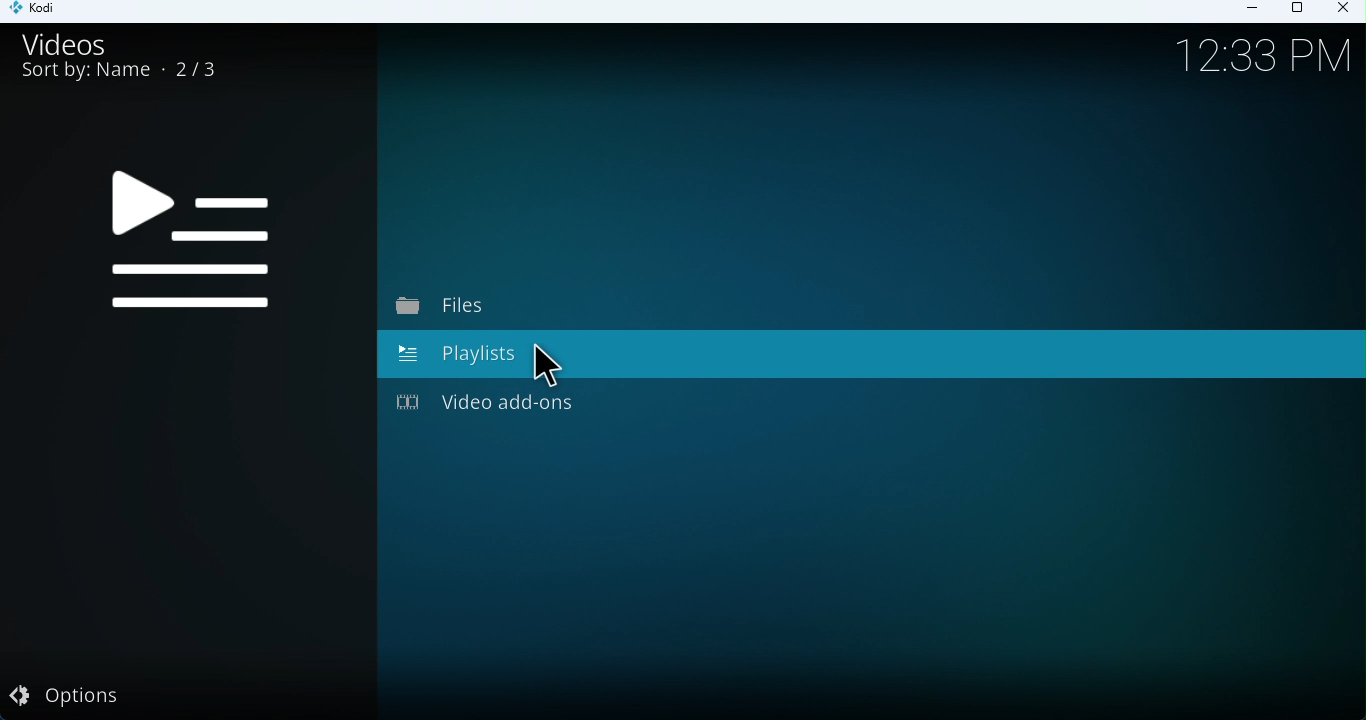 Image resolution: width=1366 pixels, height=720 pixels. What do you see at coordinates (1254, 61) in the screenshot?
I see `!2.33 Am` at bounding box center [1254, 61].